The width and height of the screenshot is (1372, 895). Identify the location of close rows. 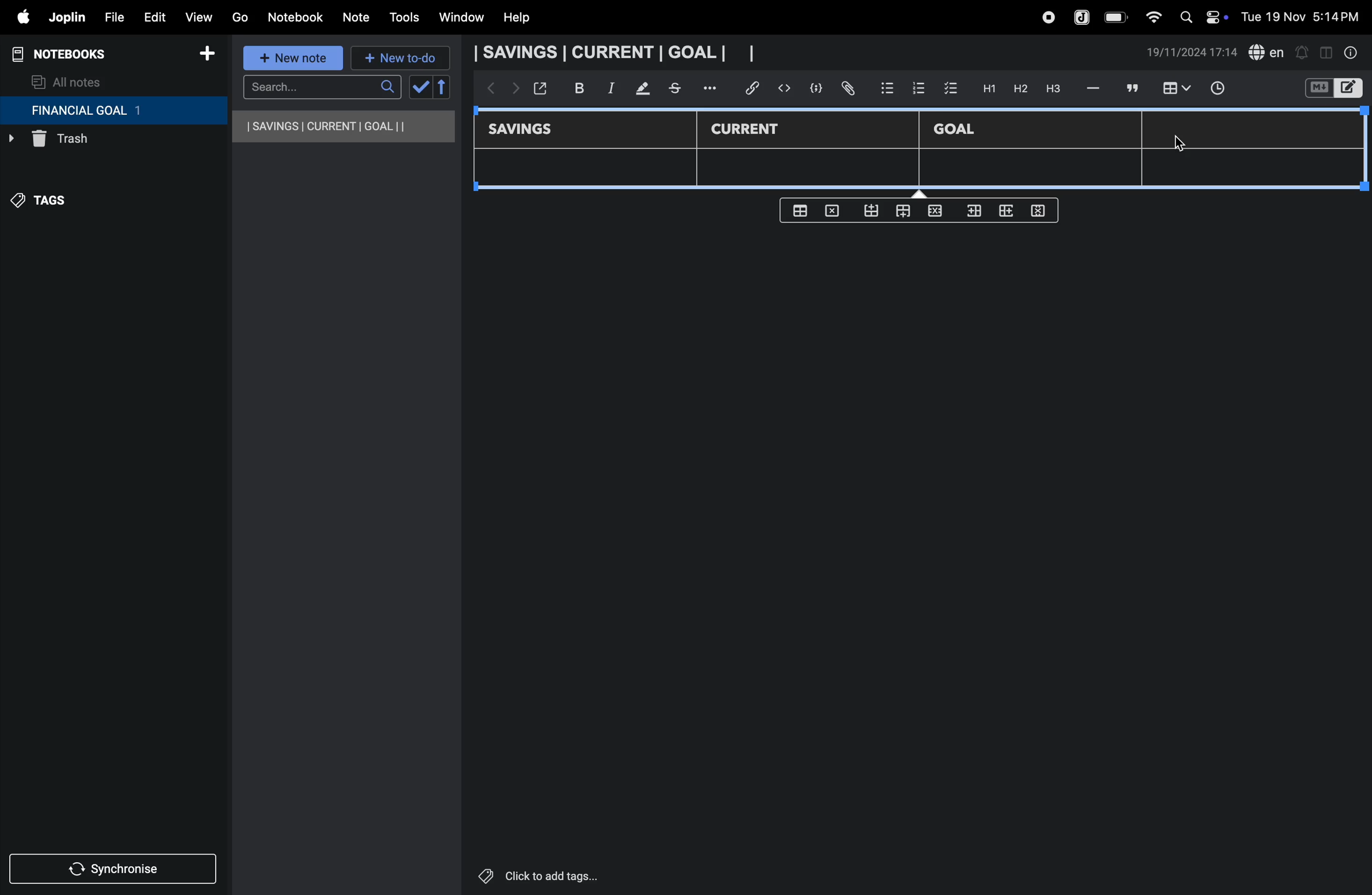
(933, 213).